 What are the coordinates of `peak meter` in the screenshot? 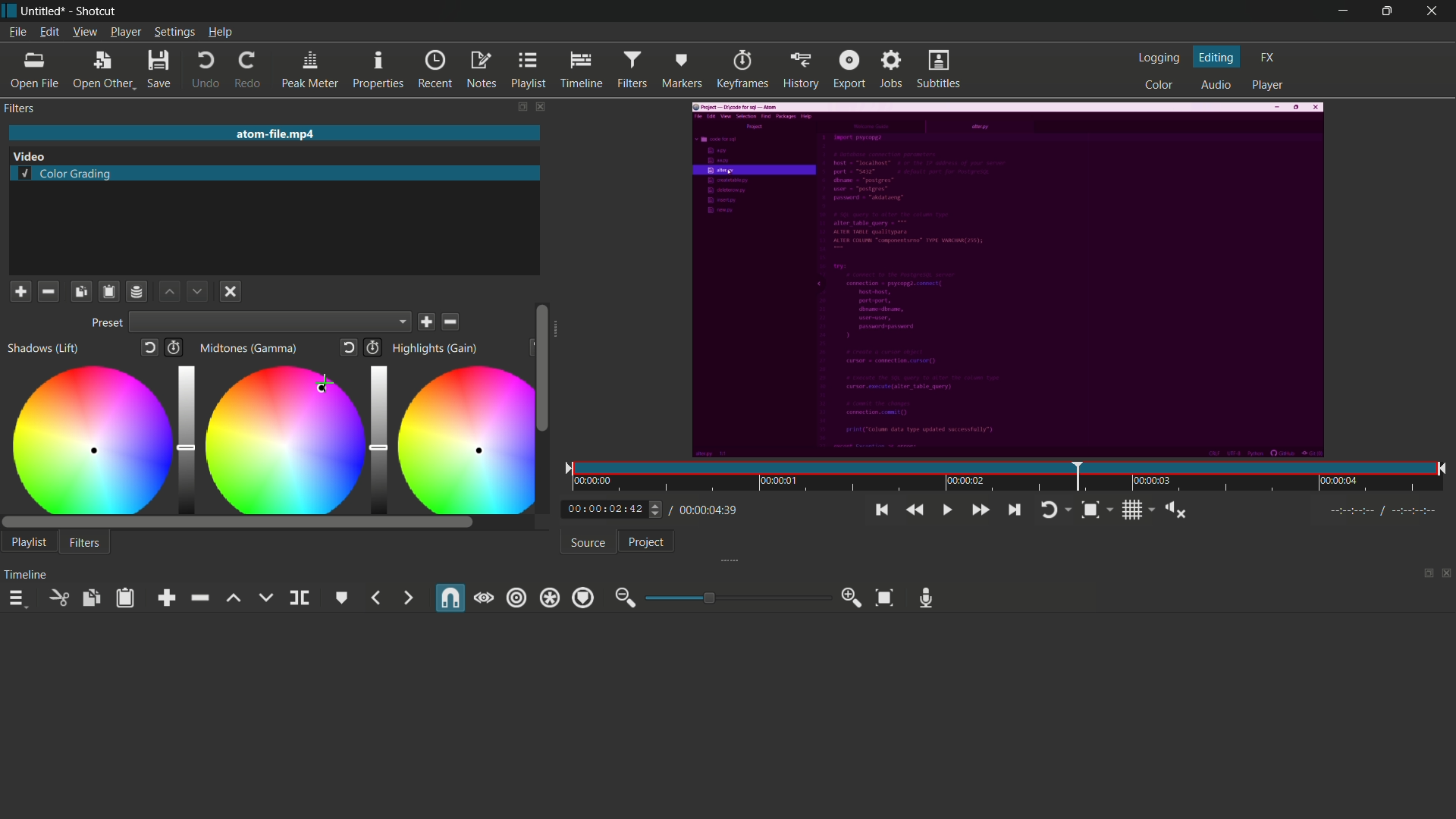 It's located at (310, 71).